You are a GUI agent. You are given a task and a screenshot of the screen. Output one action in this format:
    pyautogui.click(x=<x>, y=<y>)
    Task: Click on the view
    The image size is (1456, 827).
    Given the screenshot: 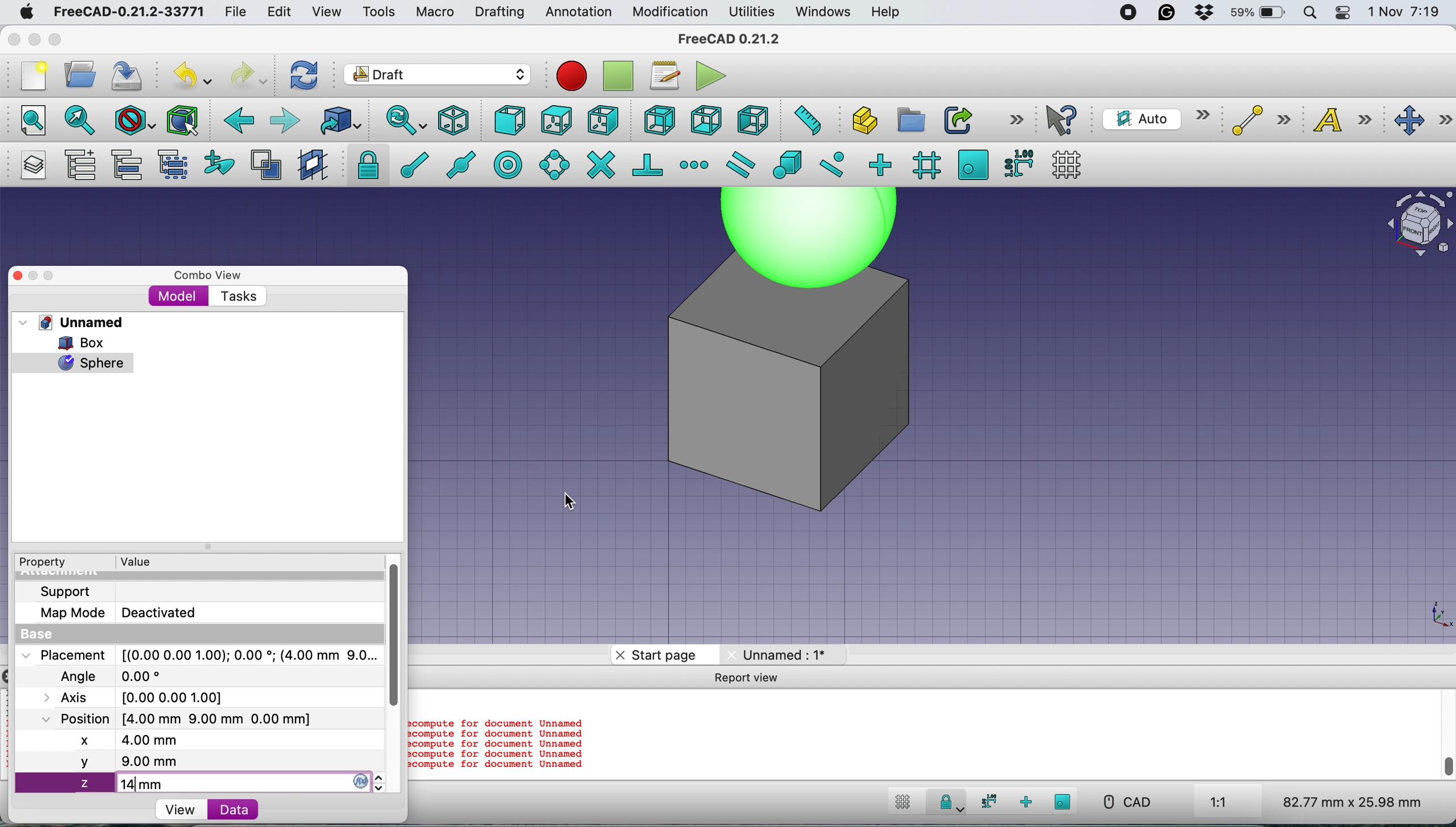 What is the action you would take?
    pyautogui.click(x=331, y=12)
    